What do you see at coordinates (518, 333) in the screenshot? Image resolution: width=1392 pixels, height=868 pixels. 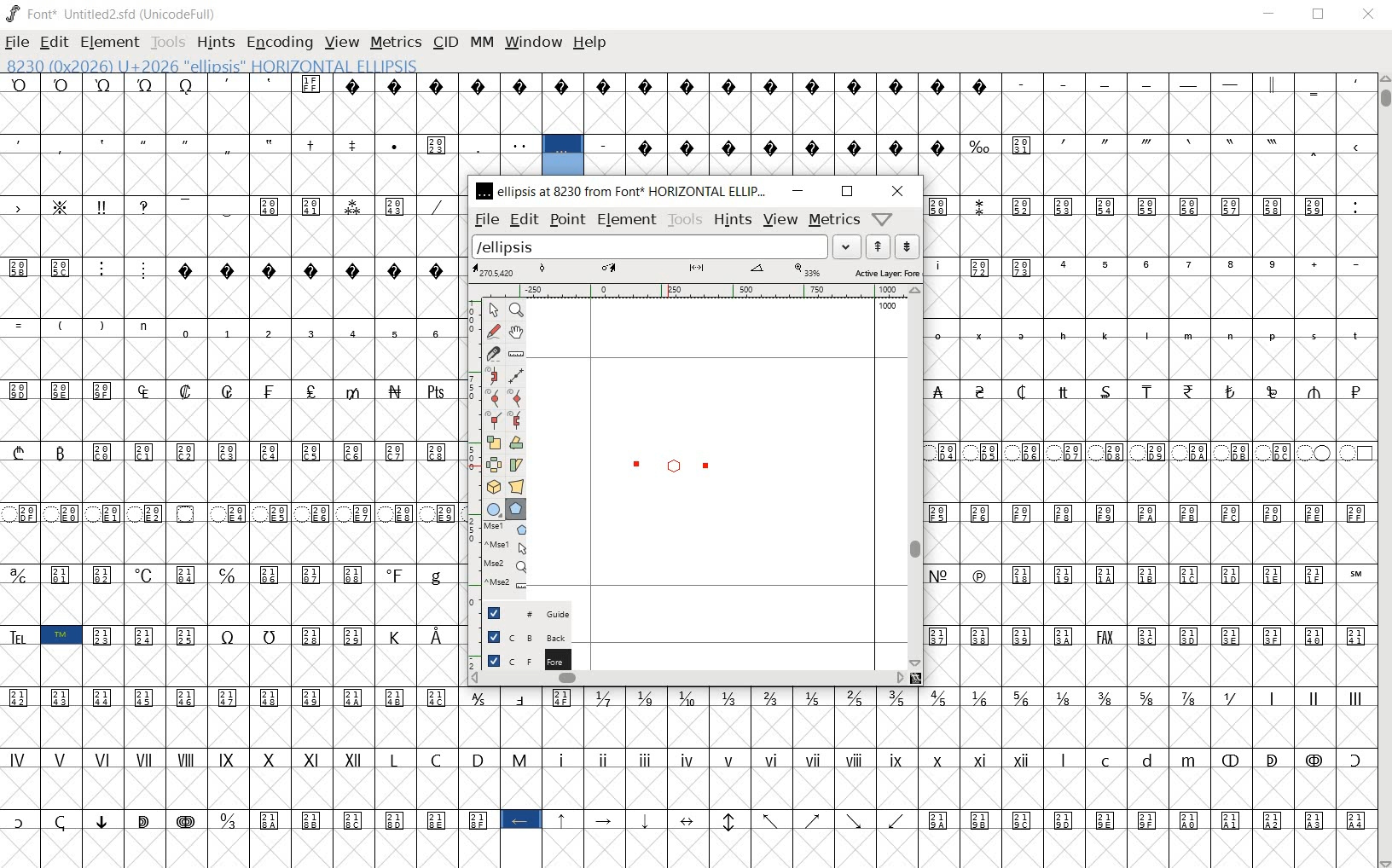 I see `scroll by hand` at bounding box center [518, 333].